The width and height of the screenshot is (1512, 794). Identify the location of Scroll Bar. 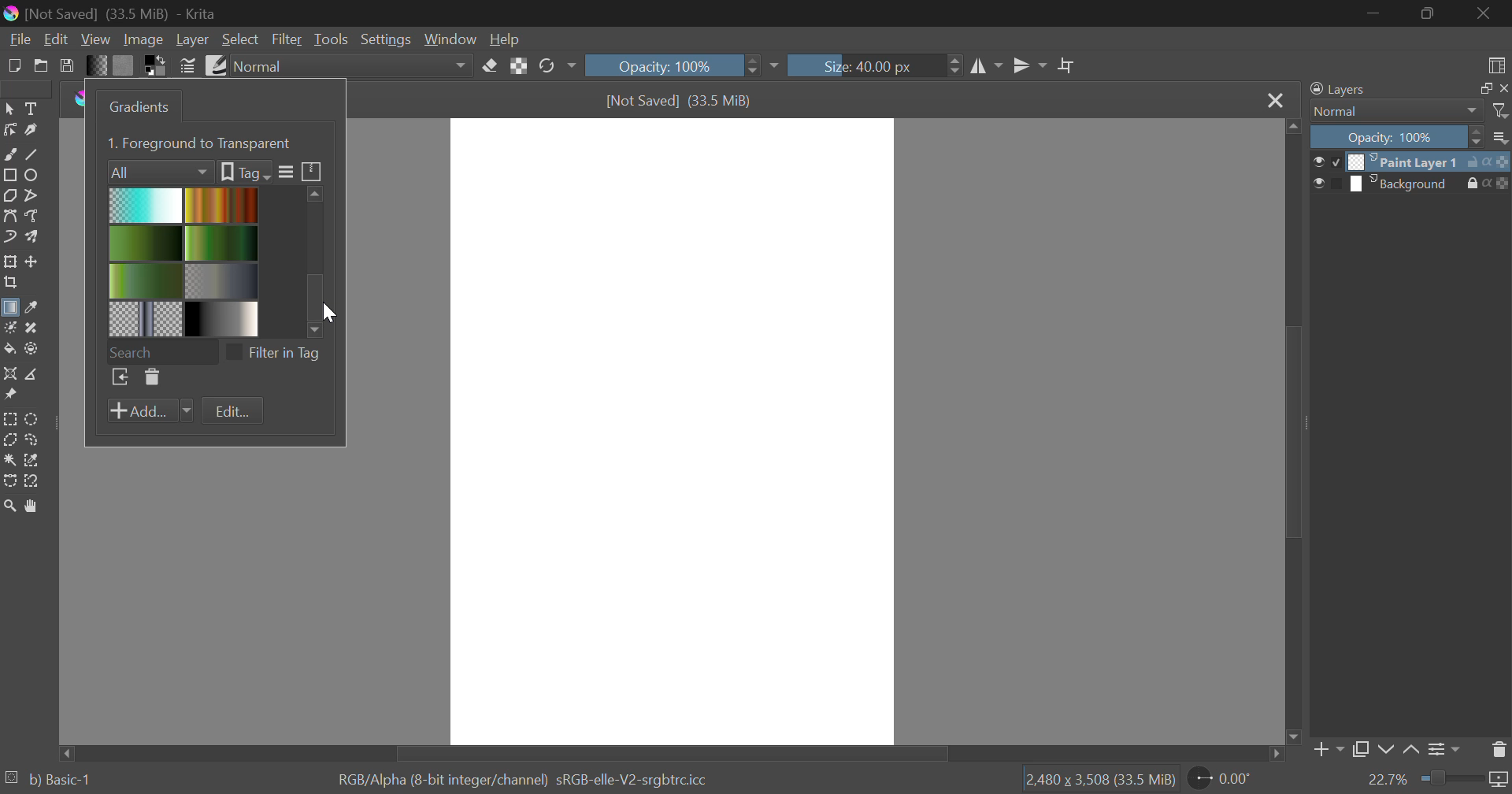
(674, 752).